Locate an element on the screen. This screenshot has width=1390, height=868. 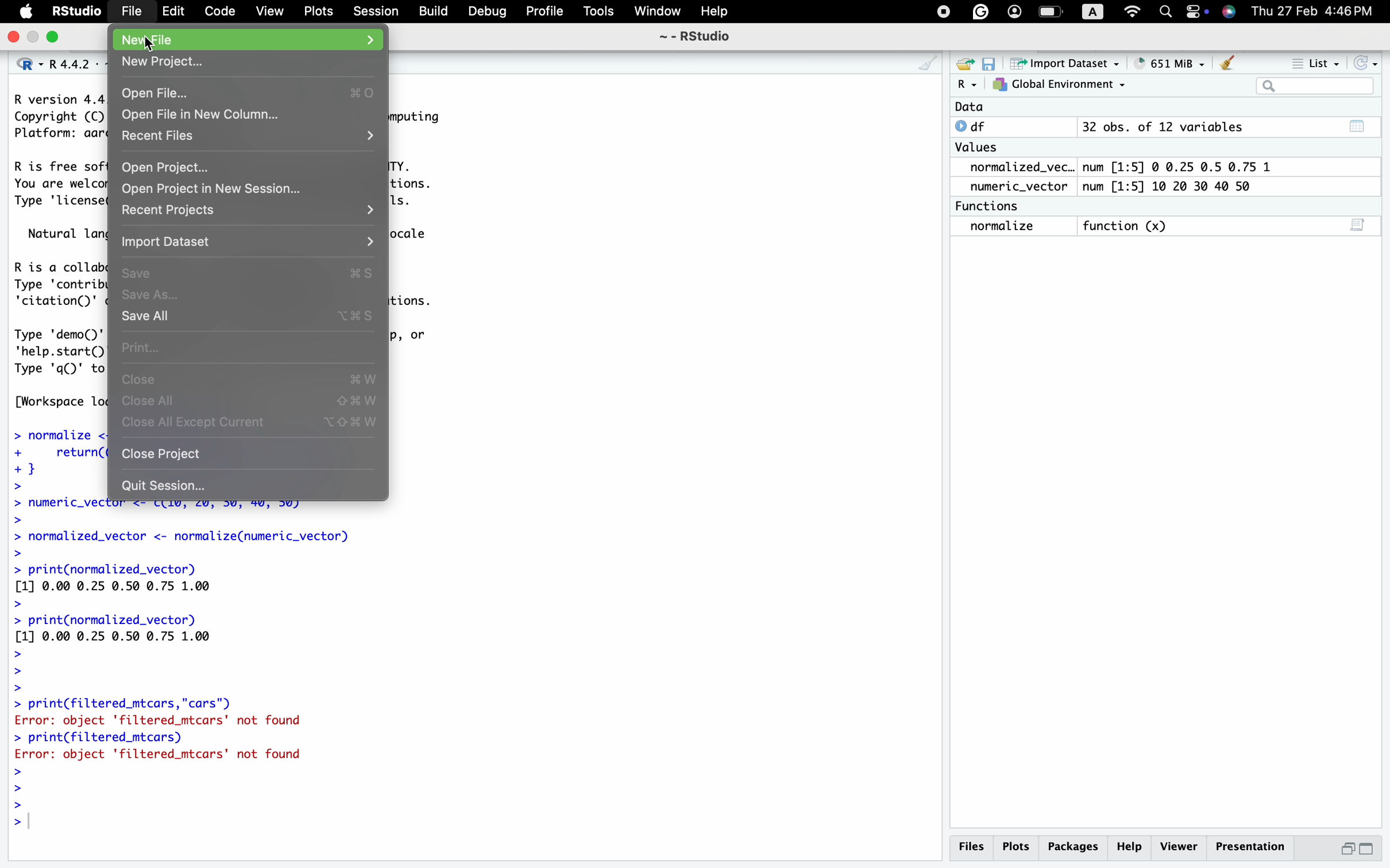
Build is located at coordinates (431, 12).